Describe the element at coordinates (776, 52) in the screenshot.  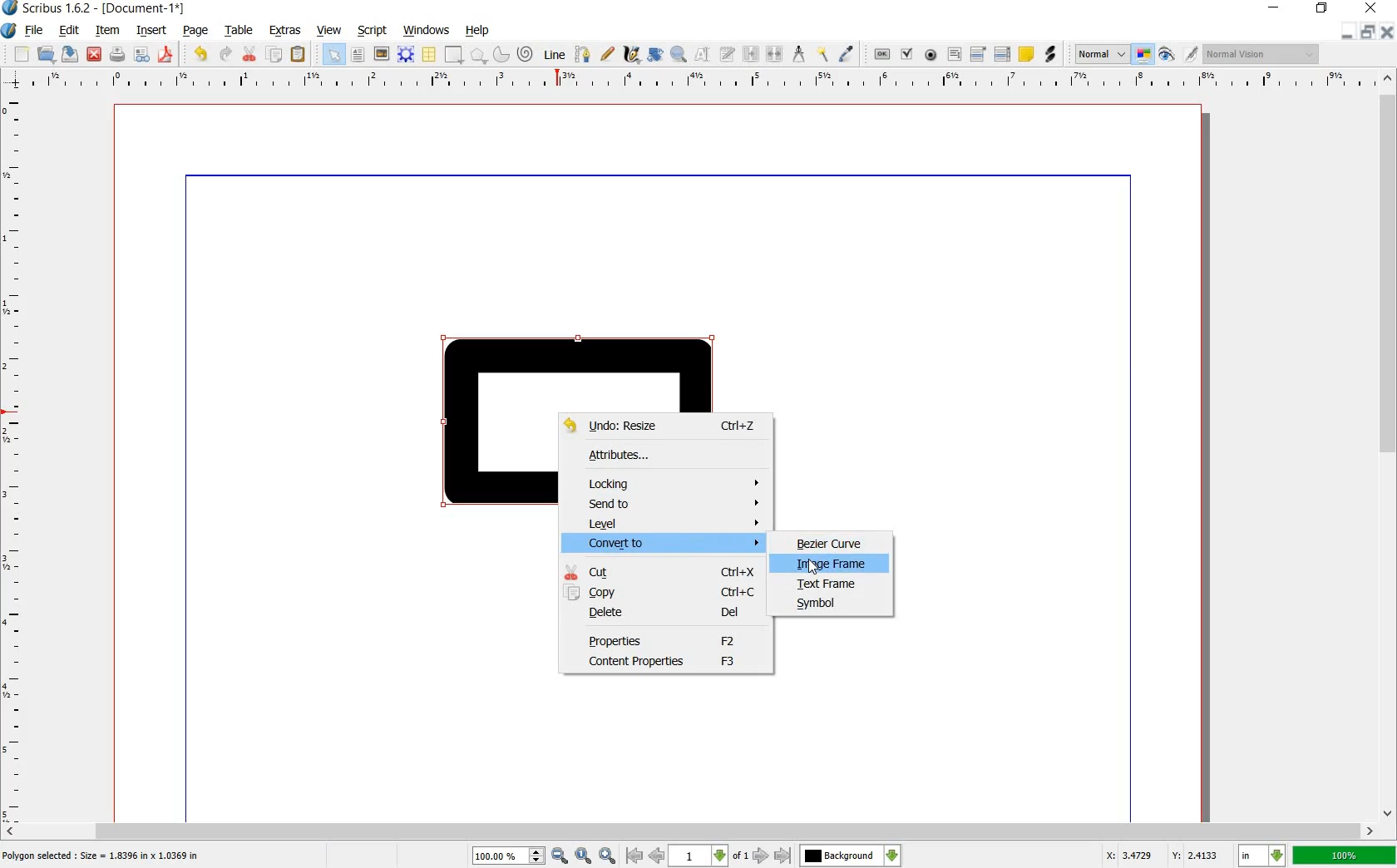
I see `unlink text frames` at that location.